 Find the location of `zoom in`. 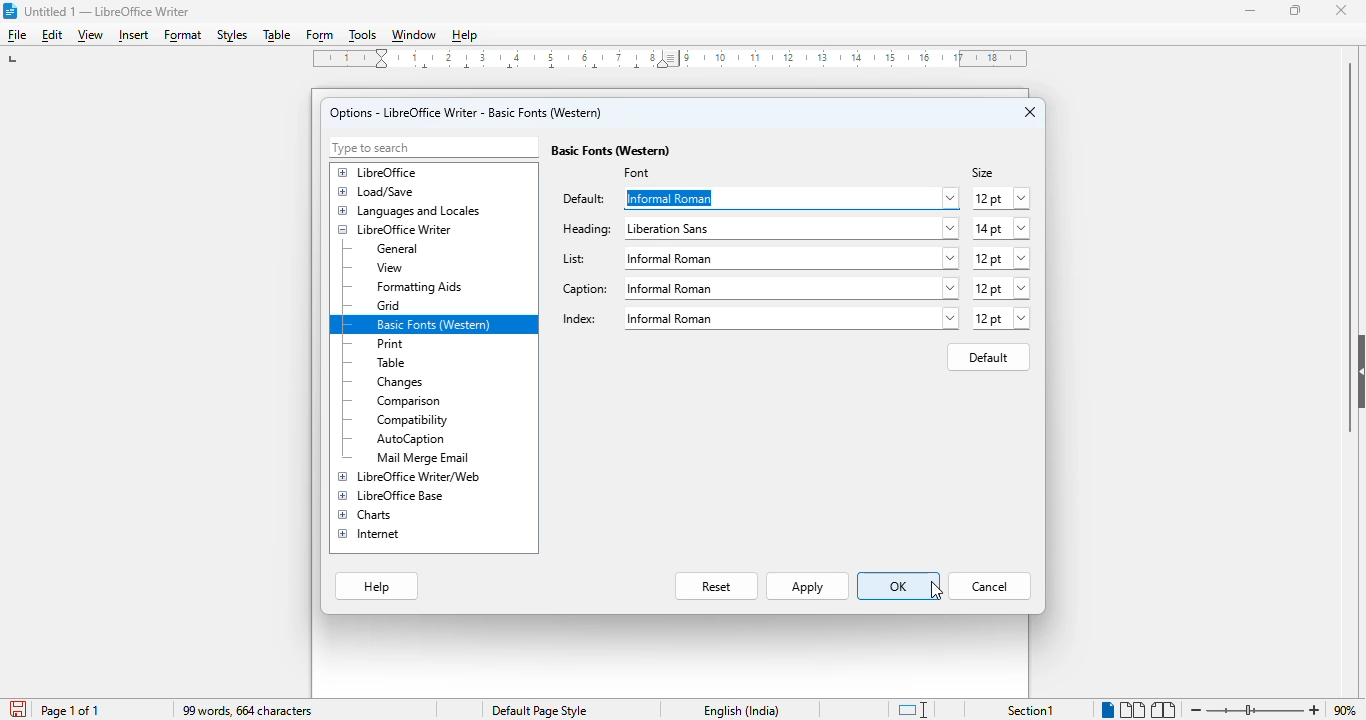

zoom in is located at coordinates (1316, 709).